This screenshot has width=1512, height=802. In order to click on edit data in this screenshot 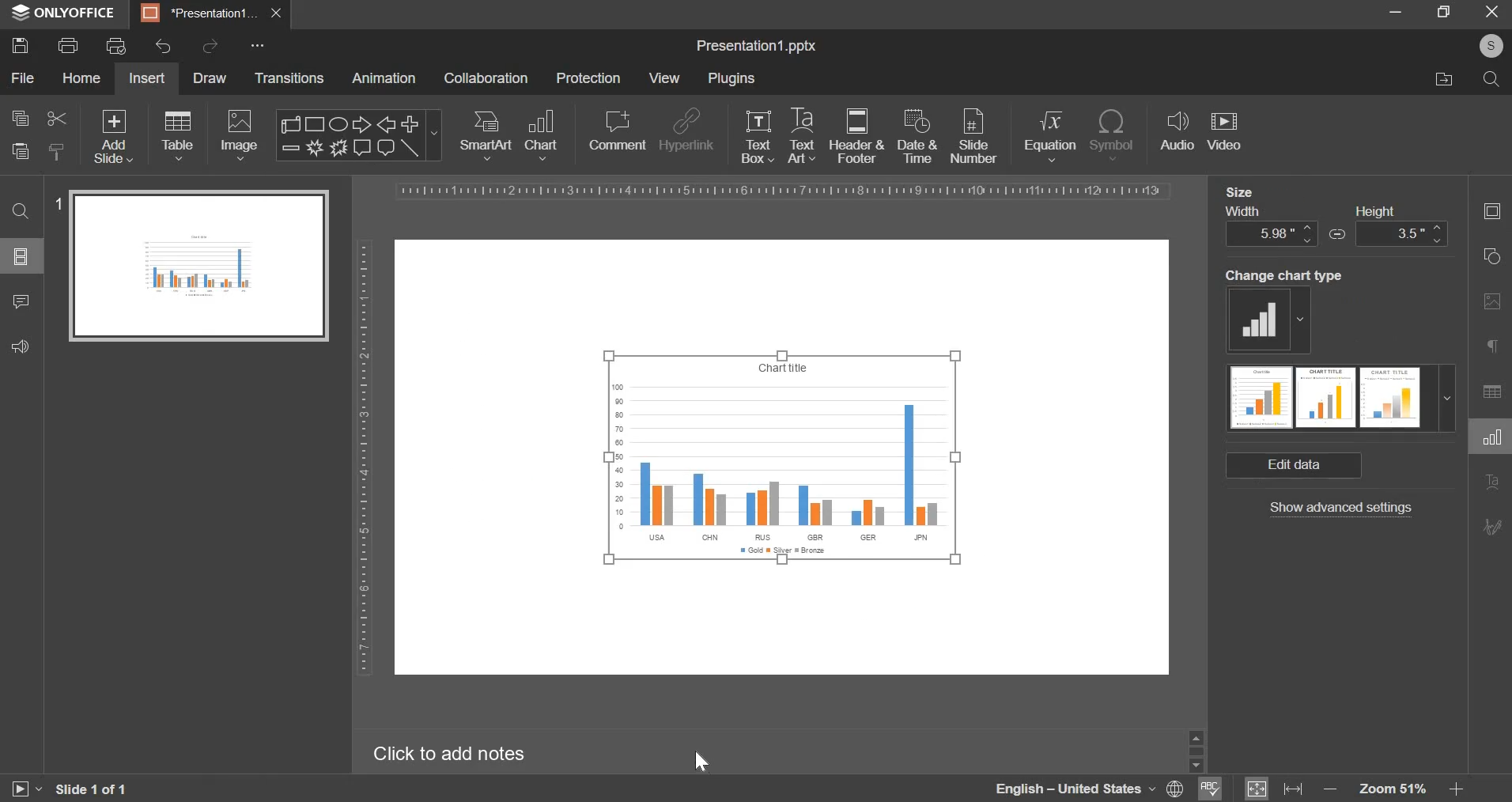, I will do `click(1293, 467)`.